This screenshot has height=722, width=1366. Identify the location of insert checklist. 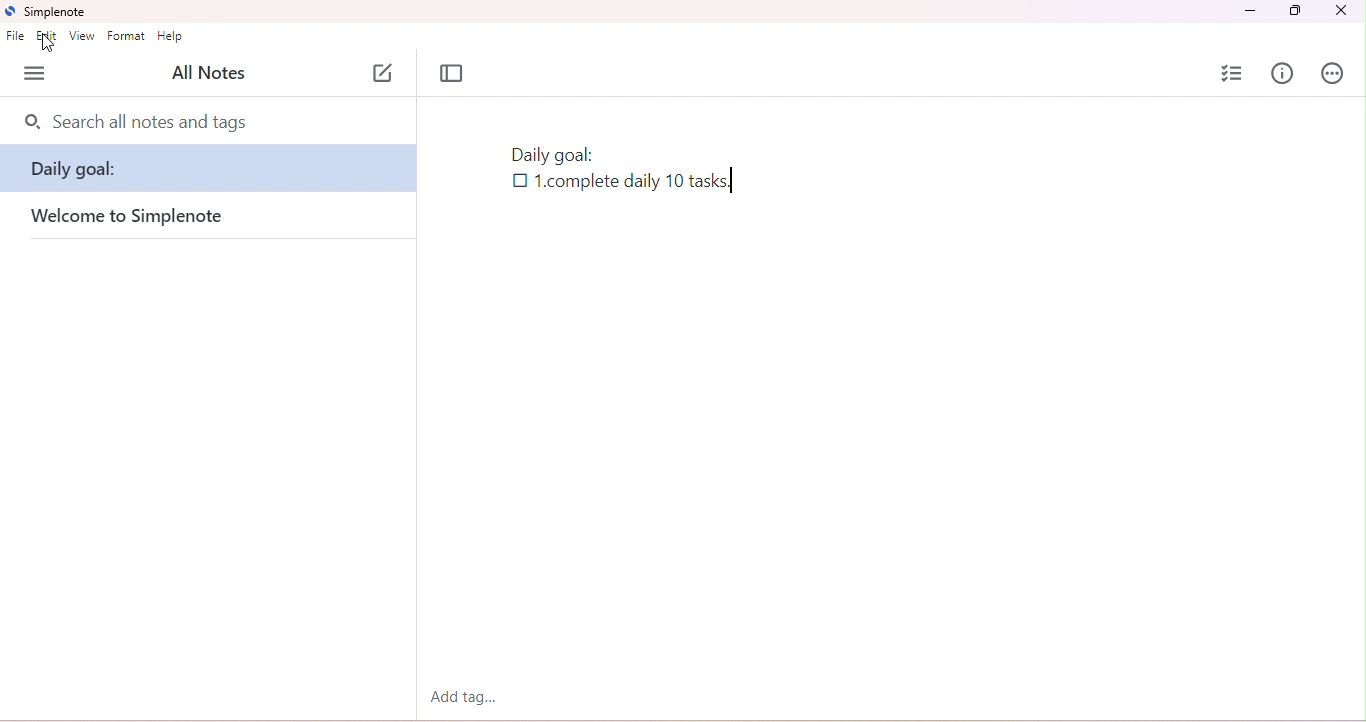
(1234, 72).